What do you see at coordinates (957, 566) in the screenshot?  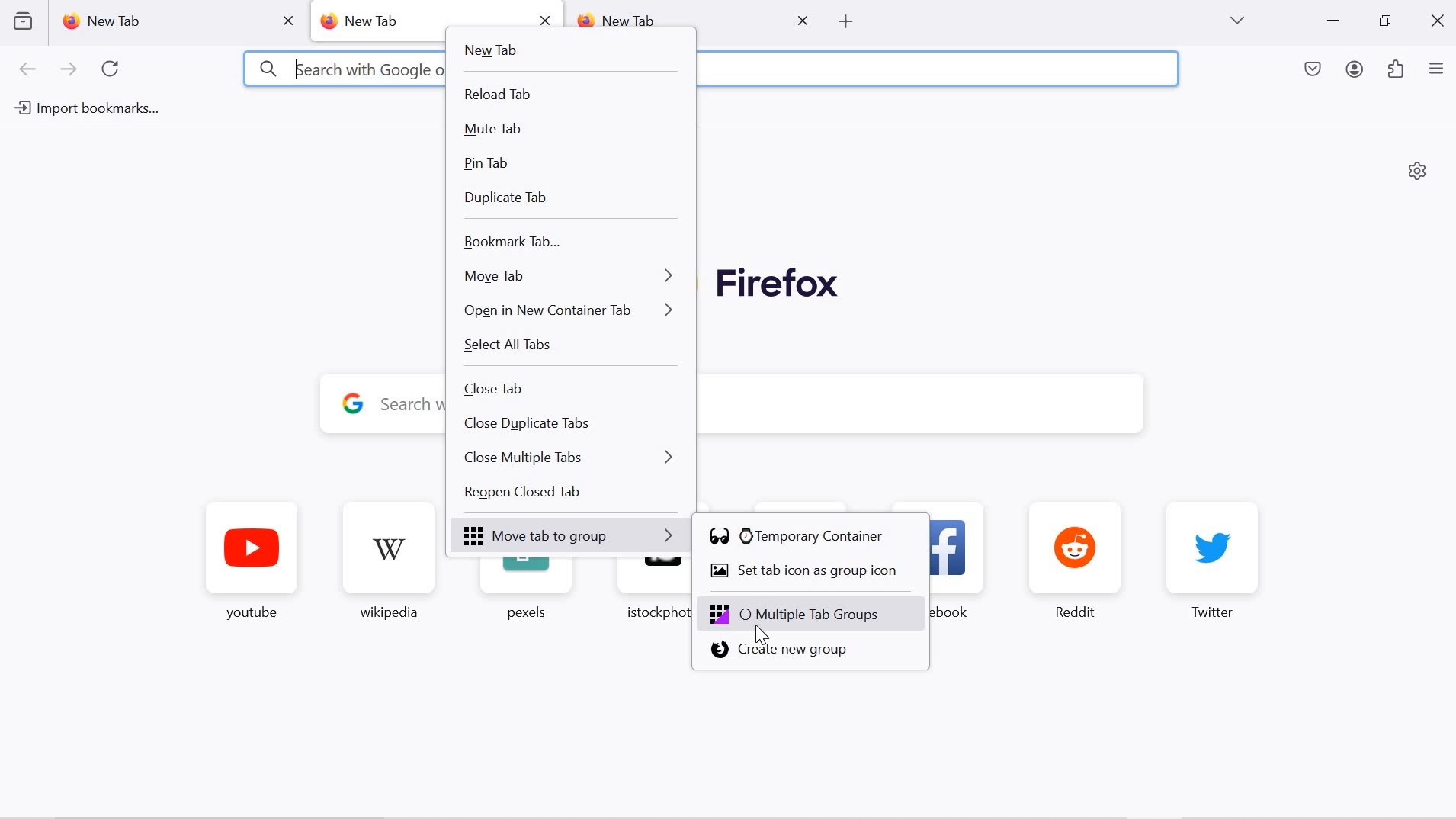 I see `facebook favorite` at bounding box center [957, 566].